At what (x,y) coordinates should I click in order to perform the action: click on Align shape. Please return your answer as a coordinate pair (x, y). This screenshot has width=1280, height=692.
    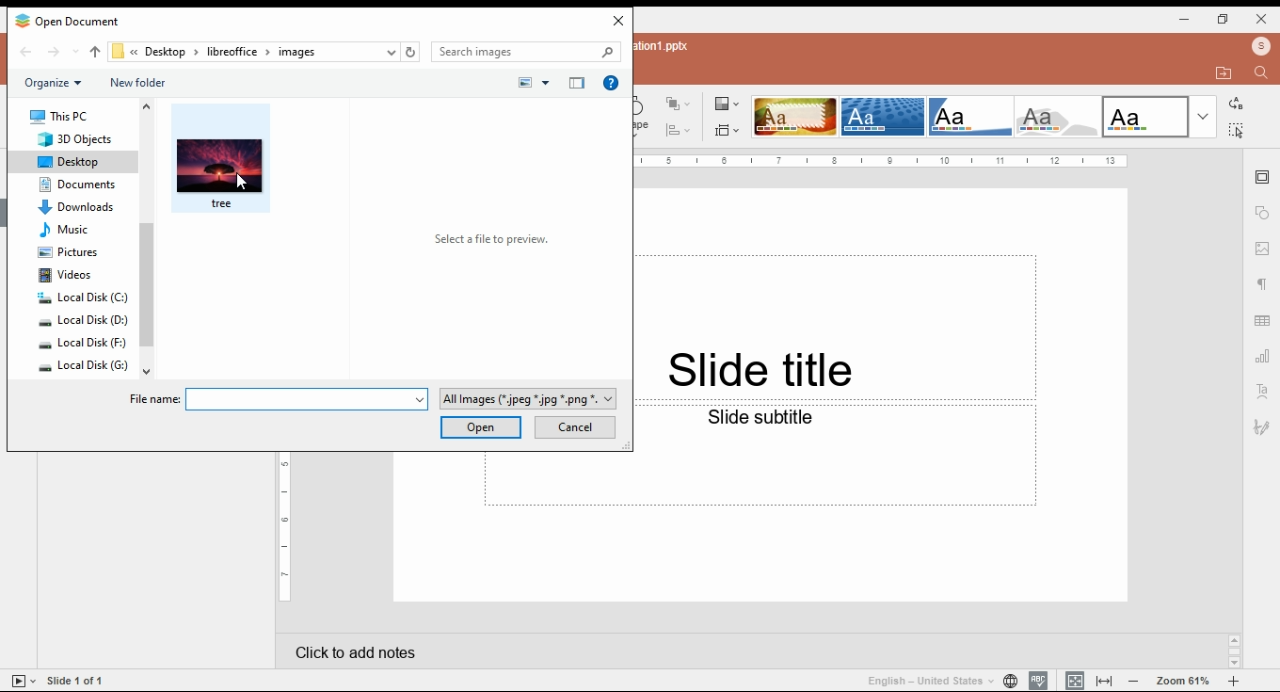
    Looking at the image, I should click on (674, 130).